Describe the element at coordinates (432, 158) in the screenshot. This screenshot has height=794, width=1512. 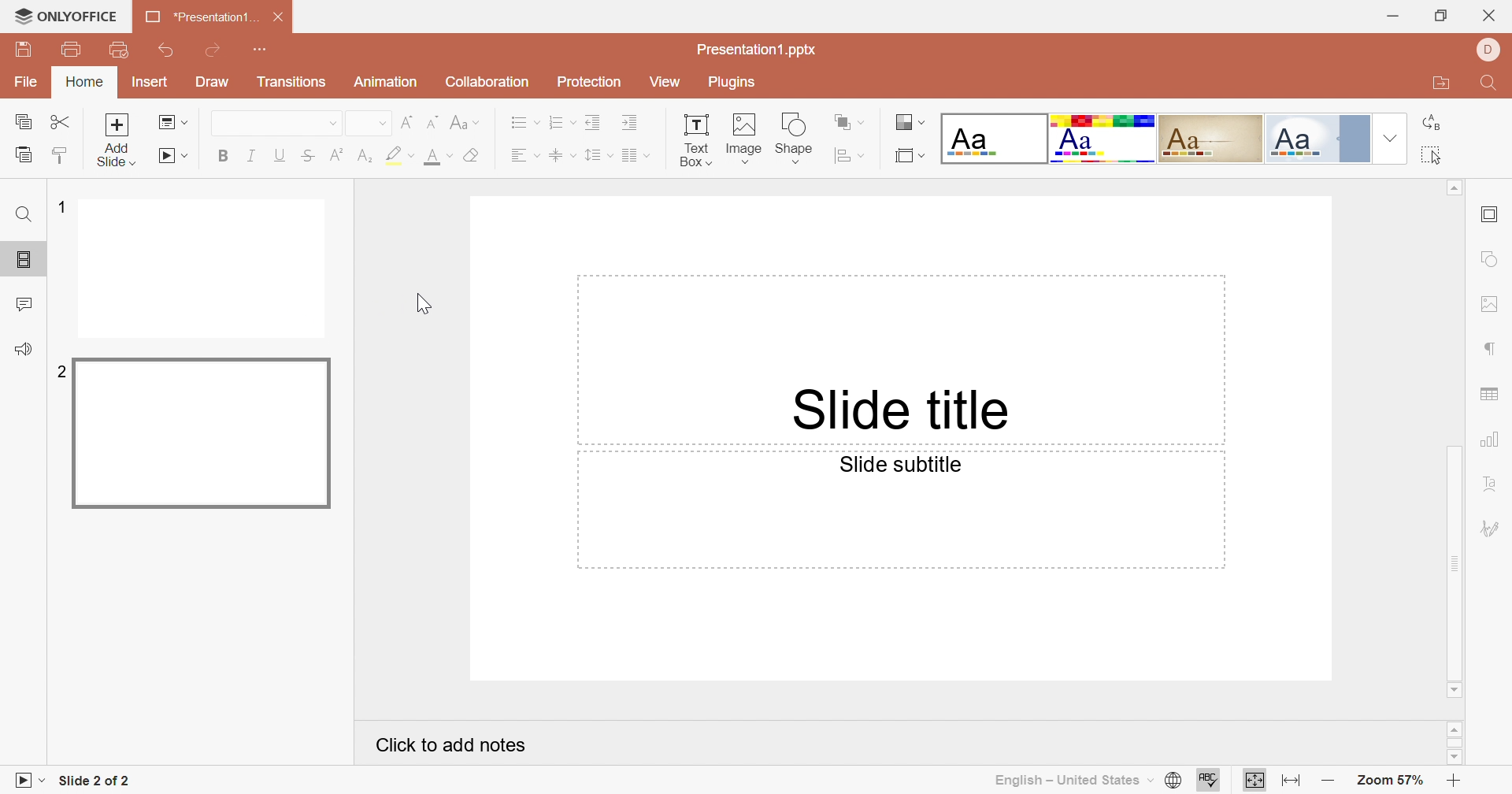
I see `Font color` at that location.